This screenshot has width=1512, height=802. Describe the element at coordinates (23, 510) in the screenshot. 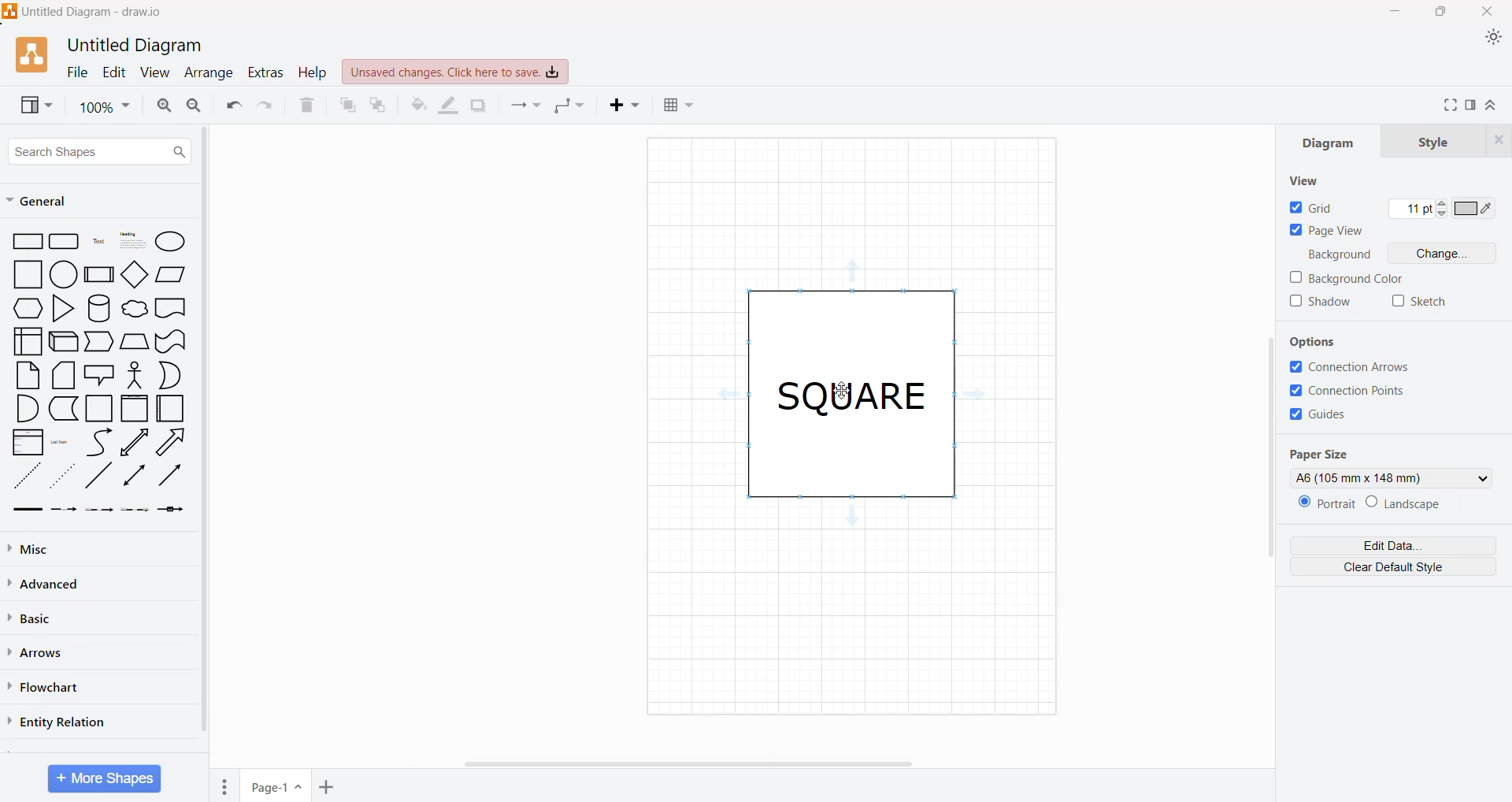

I see `Thick Arrow` at that location.